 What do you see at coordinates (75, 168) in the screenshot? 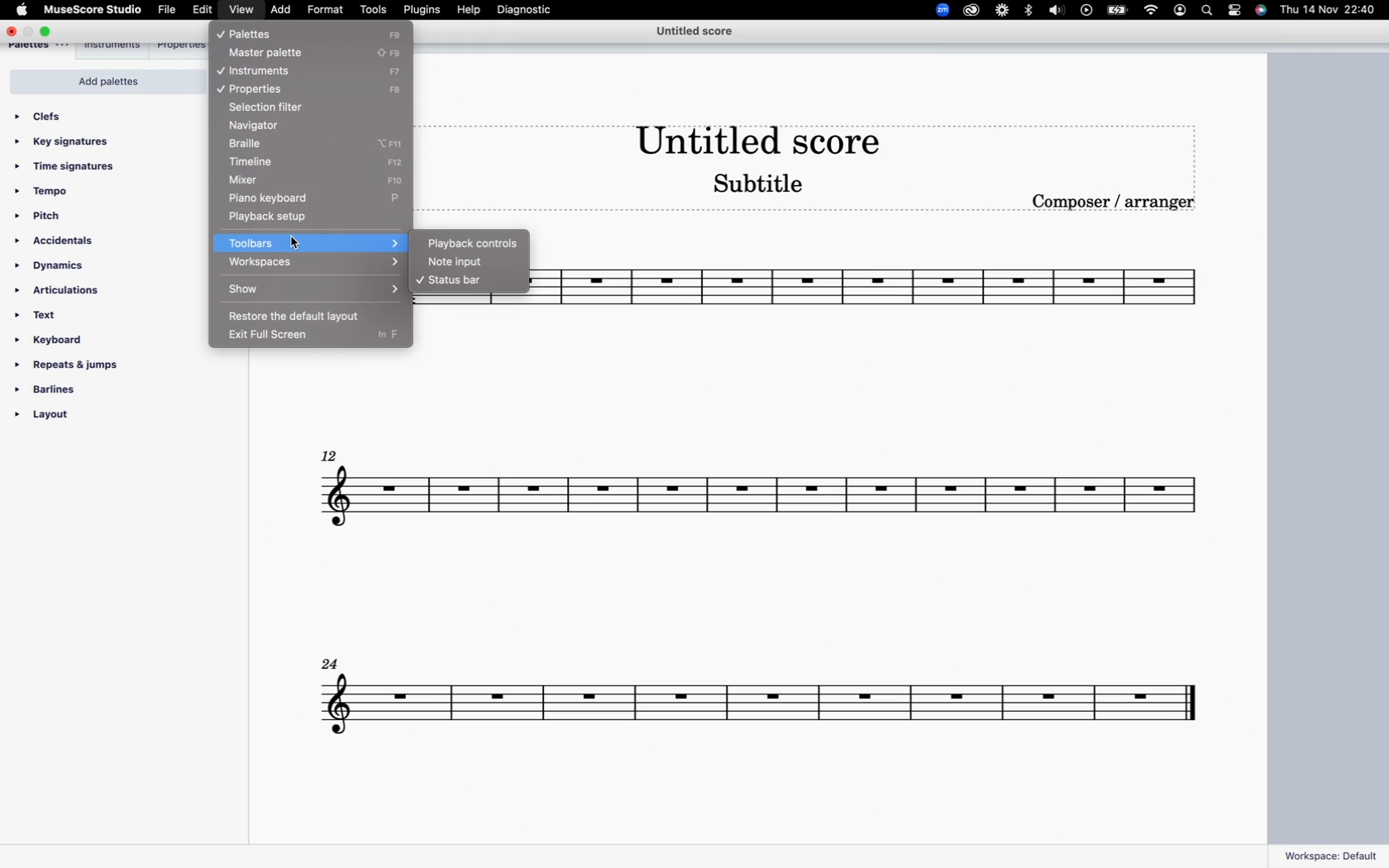
I see `time signatures` at bounding box center [75, 168].